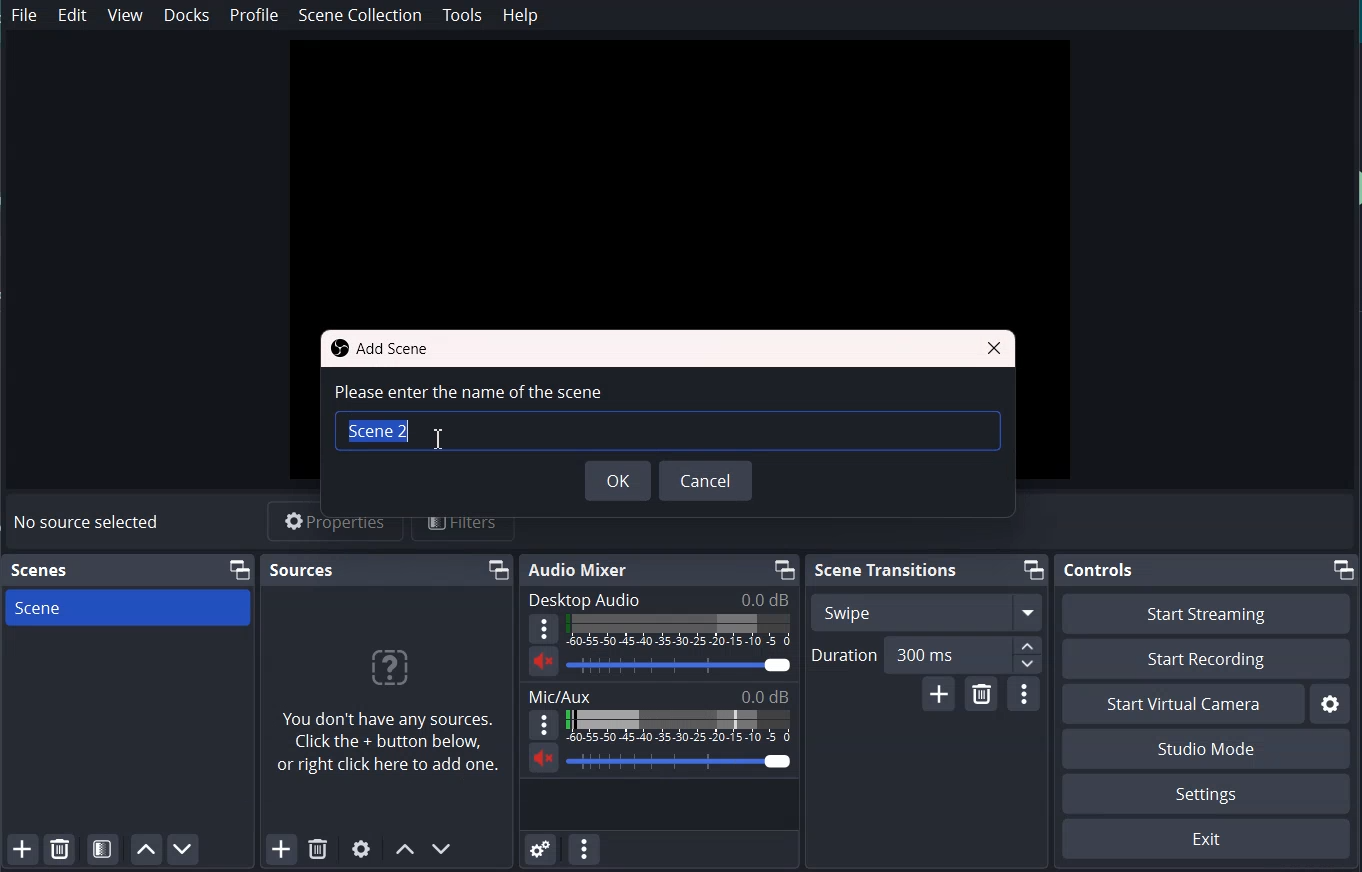 The width and height of the screenshot is (1362, 872). What do you see at coordinates (1207, 659) in the screenshot?
I see `Start Recording` at bounding box center [1207, 659].